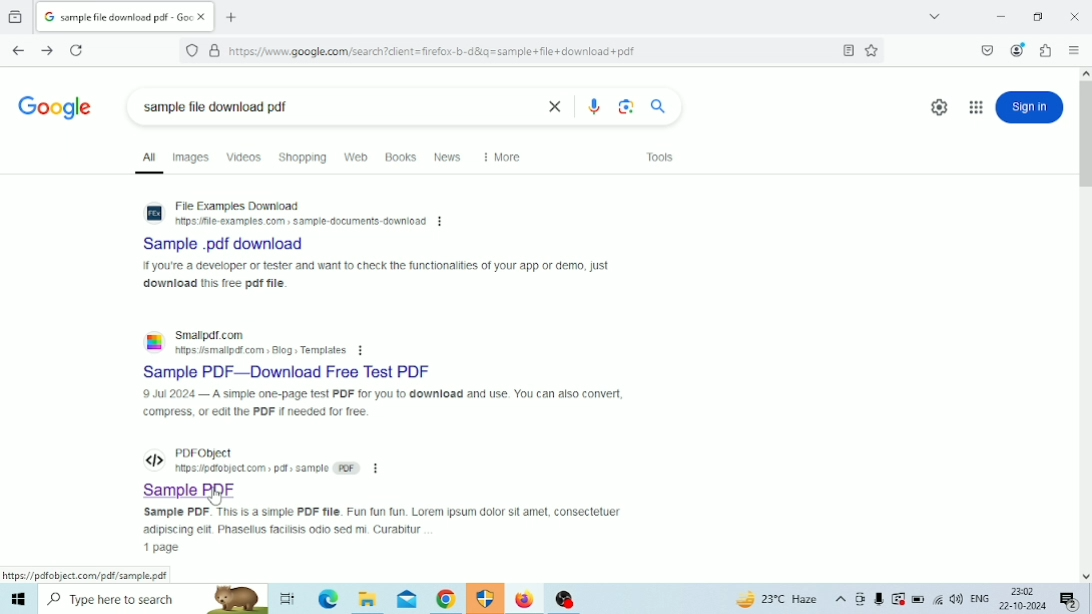  What do you see at coordinates (934, 16) in the screenshot?
I see `List all tabs` at bounding box center [934, 16].